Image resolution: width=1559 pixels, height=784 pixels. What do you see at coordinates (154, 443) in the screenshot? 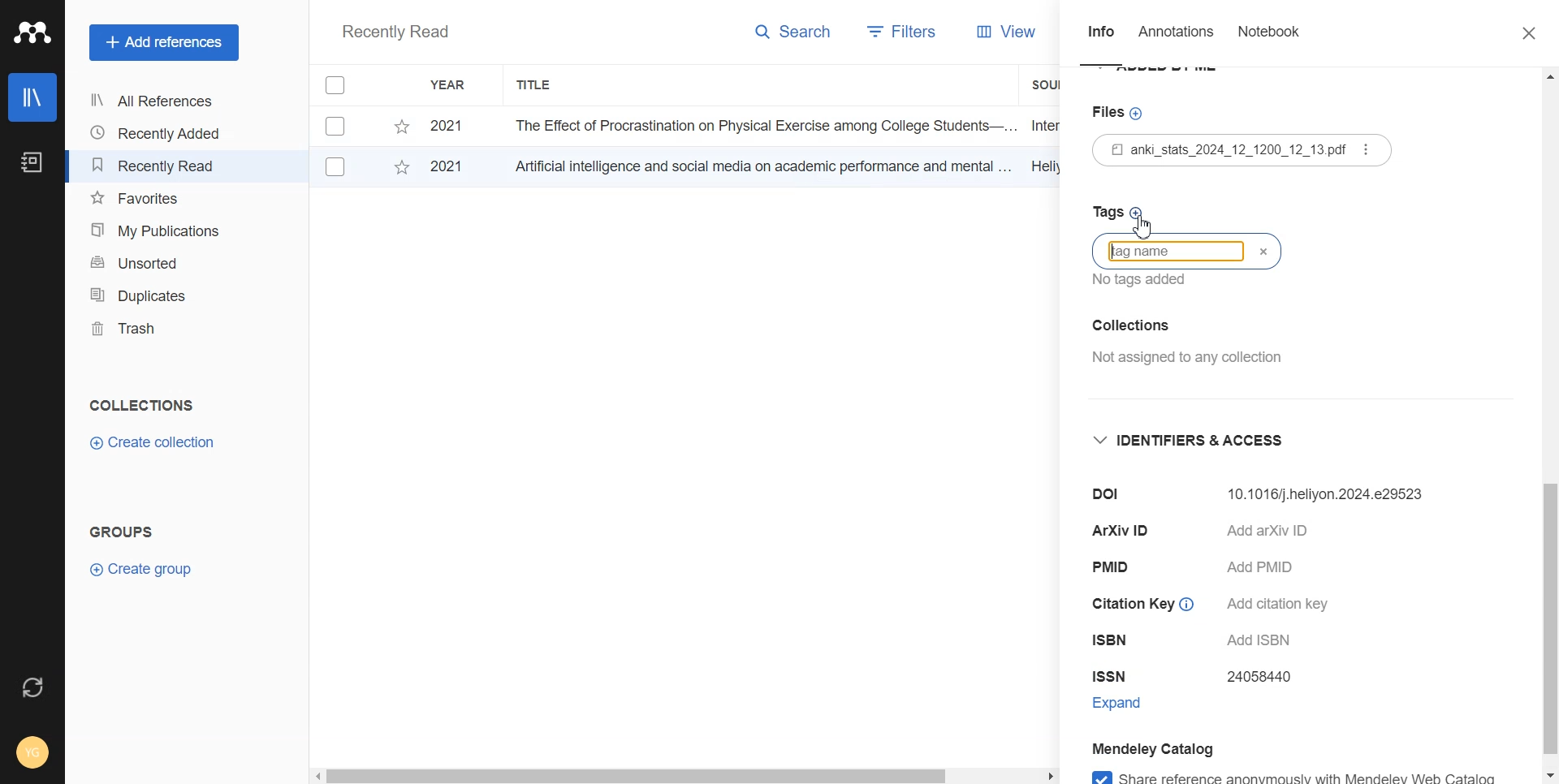
I see `Create Collection` at bounding box center [154, 443].